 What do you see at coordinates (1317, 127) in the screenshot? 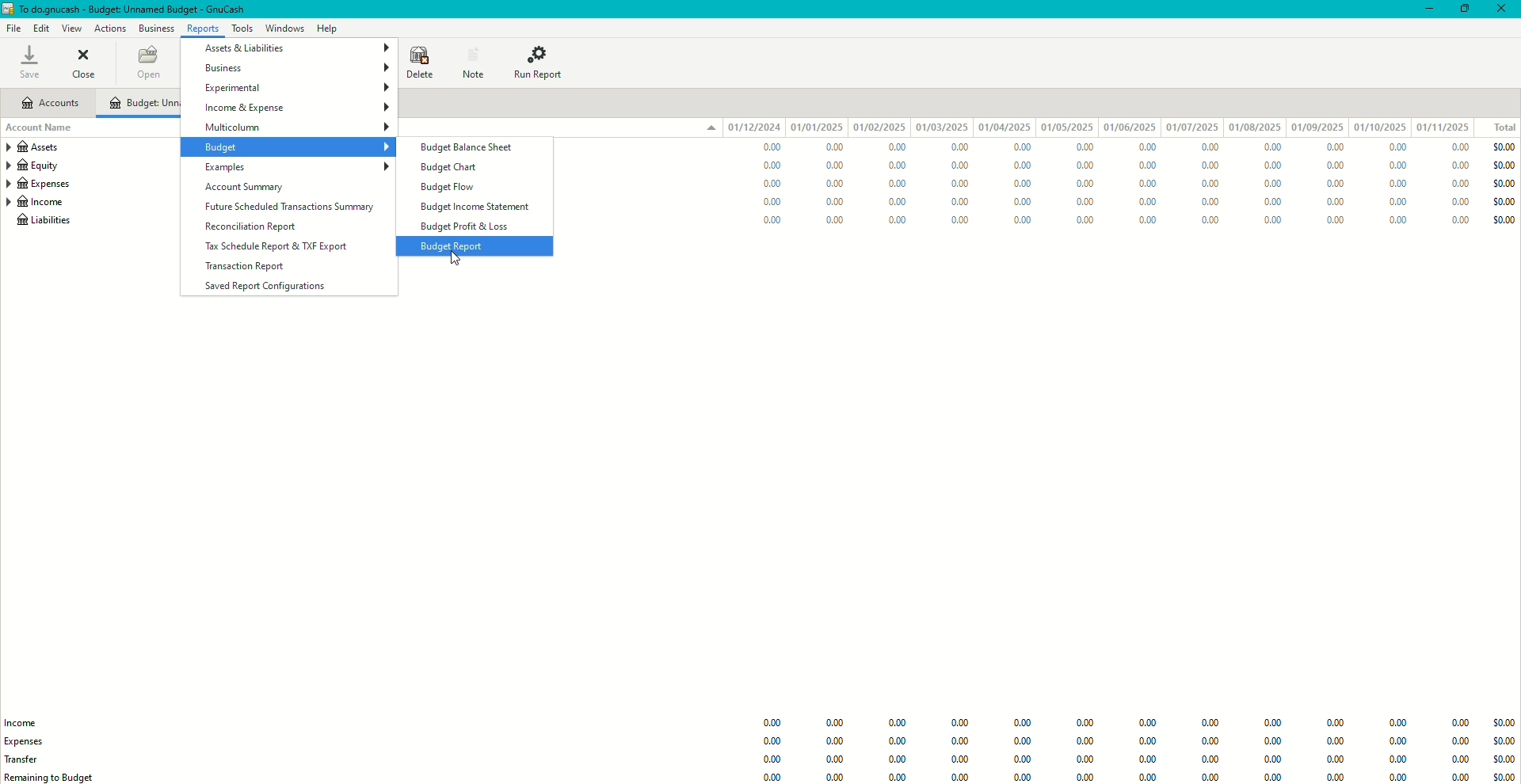
I see `01/09/2025` at bounding box center [1317, 127].